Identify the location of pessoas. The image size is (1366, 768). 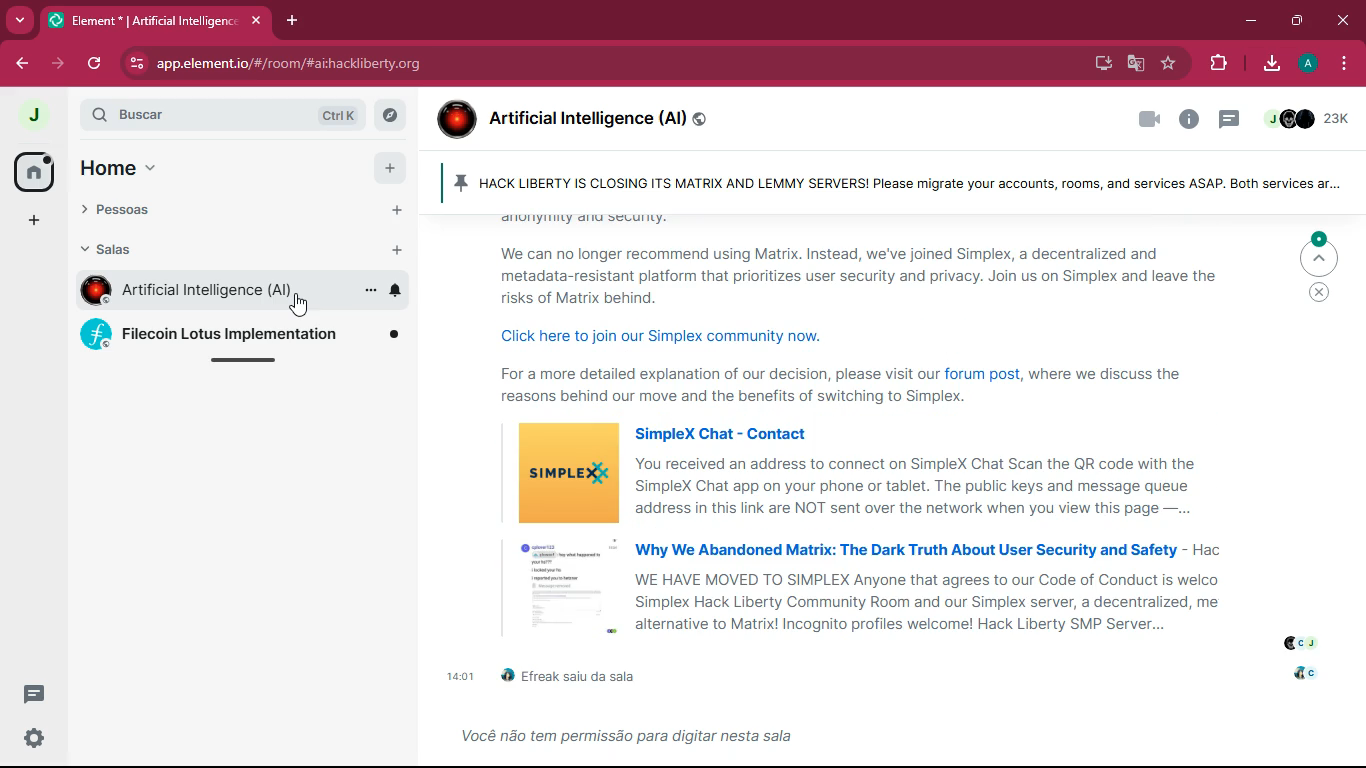
(143, 211).